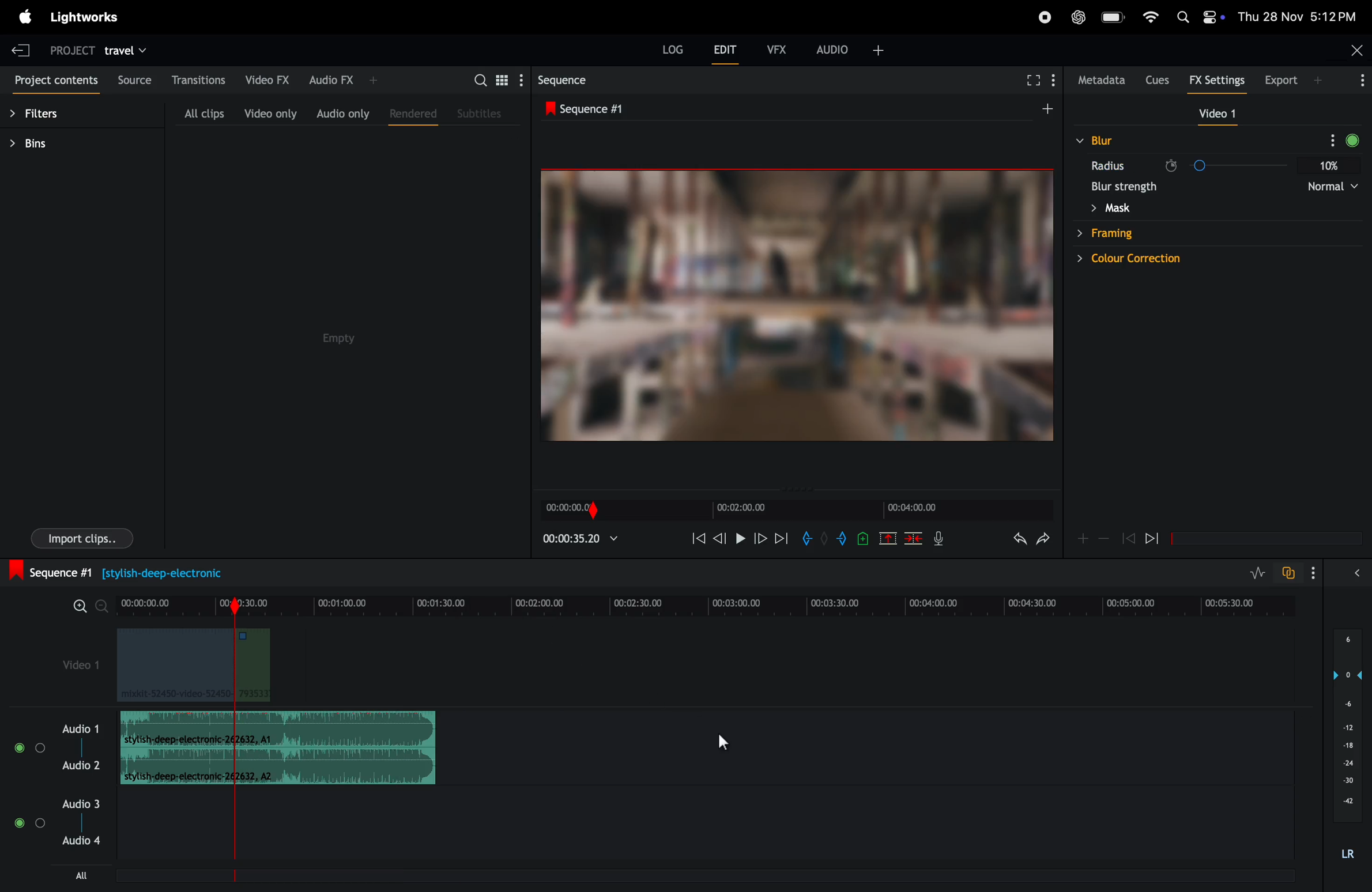  I want to click on export, so click(1287, 80).